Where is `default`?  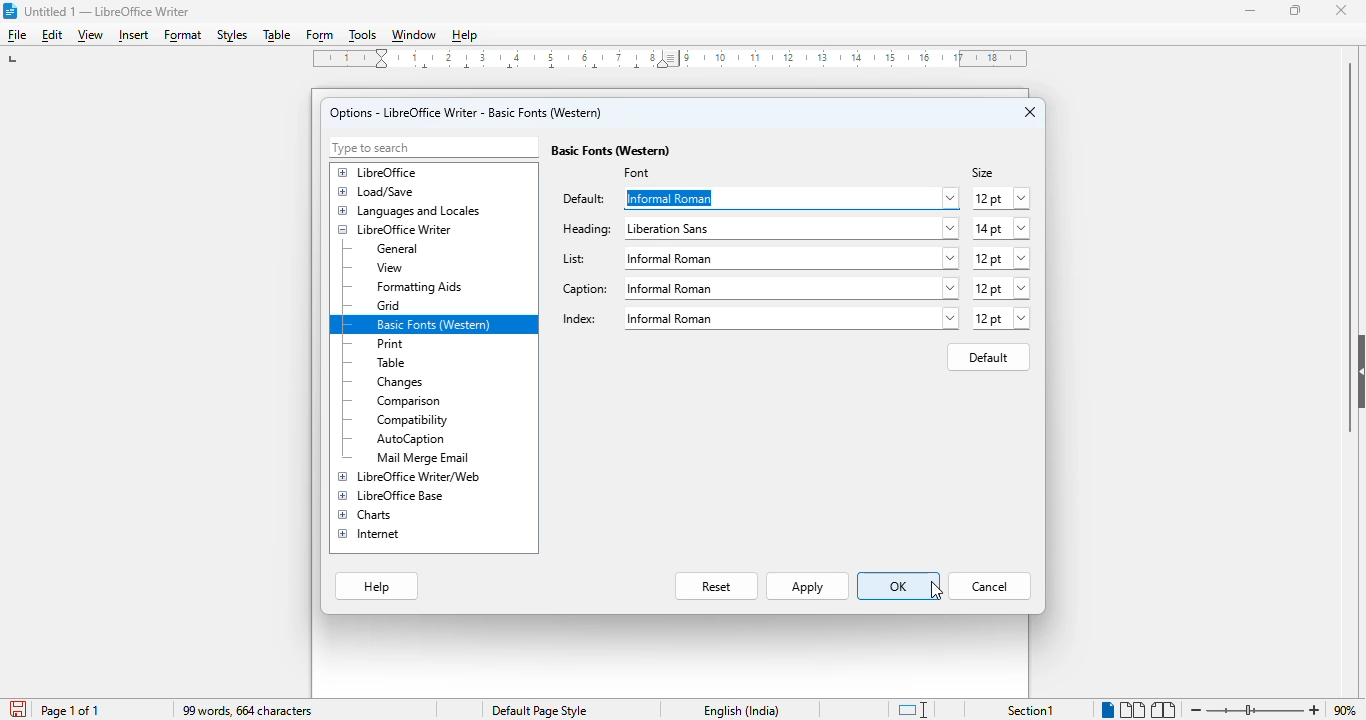
default is located at coordinates (989, 357).